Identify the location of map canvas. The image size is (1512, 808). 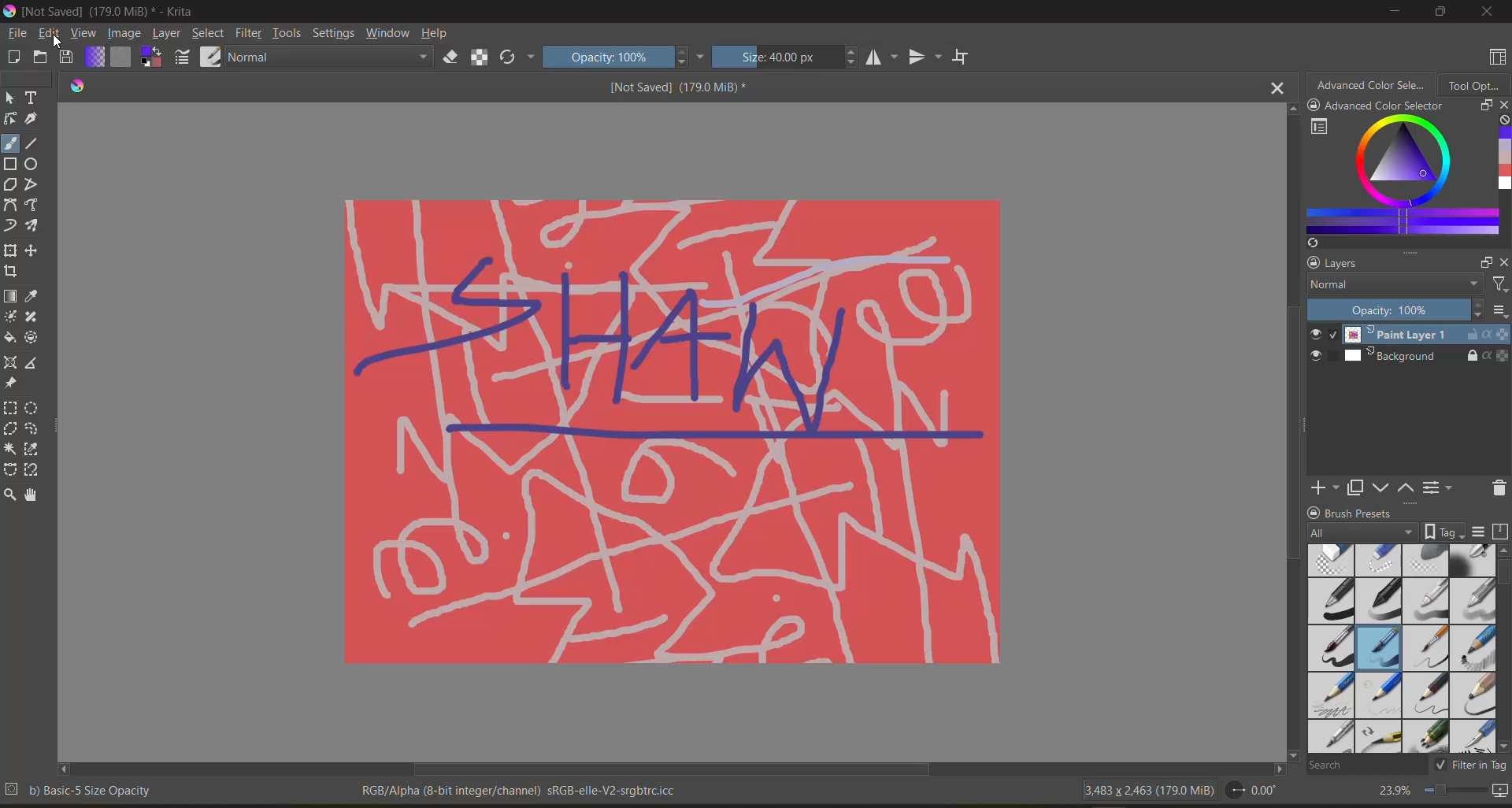
(1501, 791).